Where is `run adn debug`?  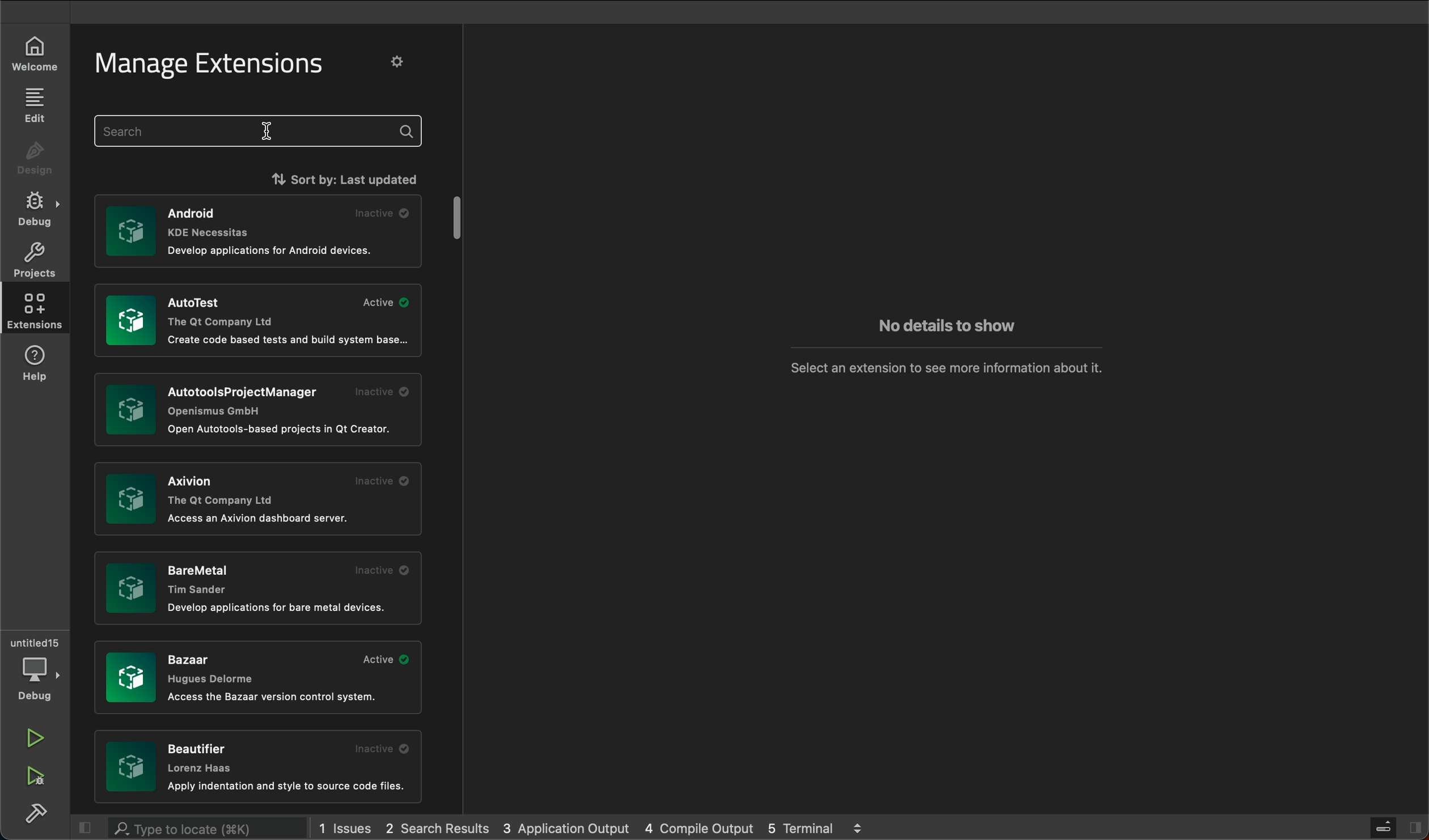
run adn debug is located at coordinates (34, 777).